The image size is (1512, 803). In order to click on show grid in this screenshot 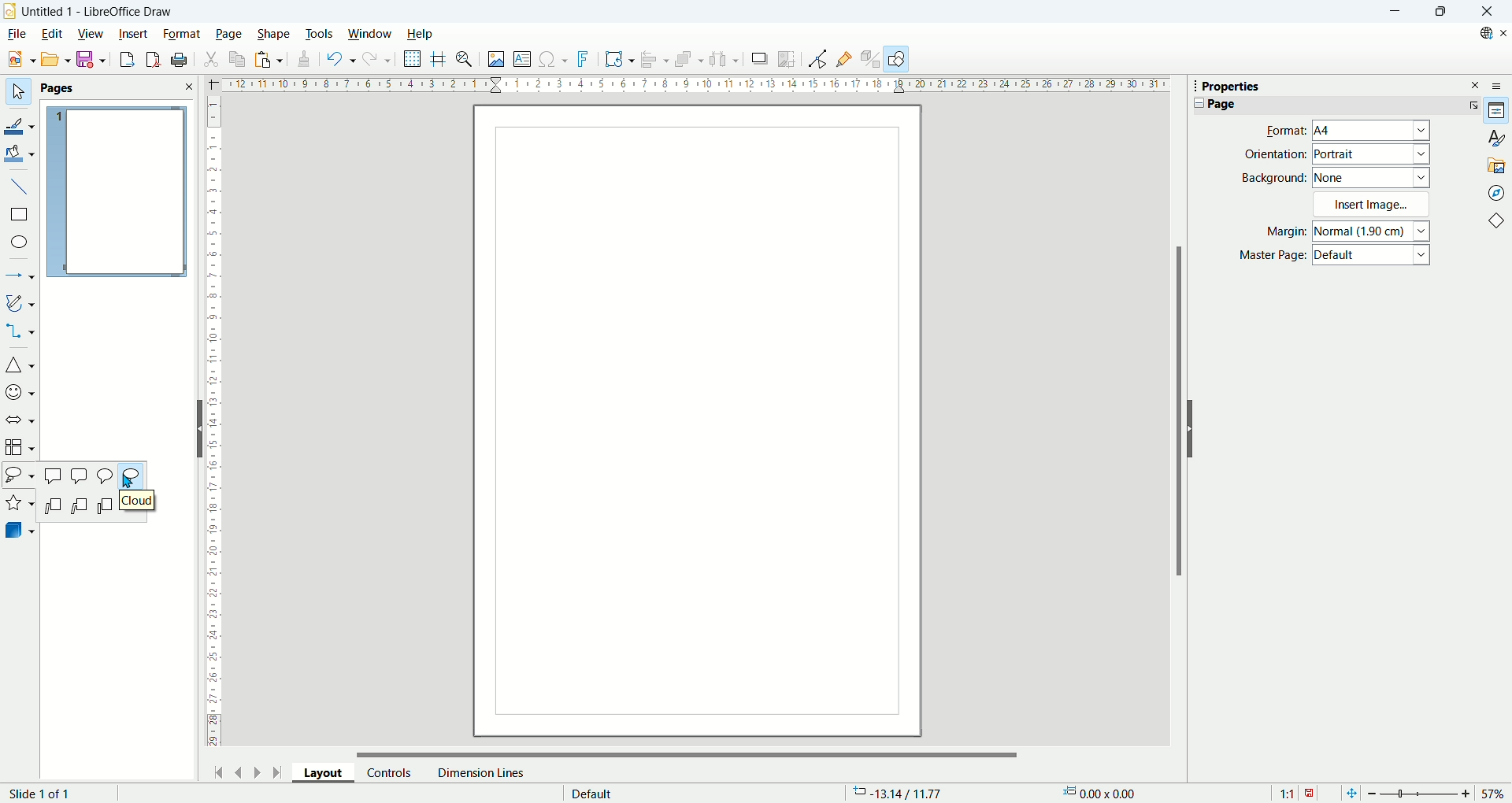, I will do `click(413, 59)`.